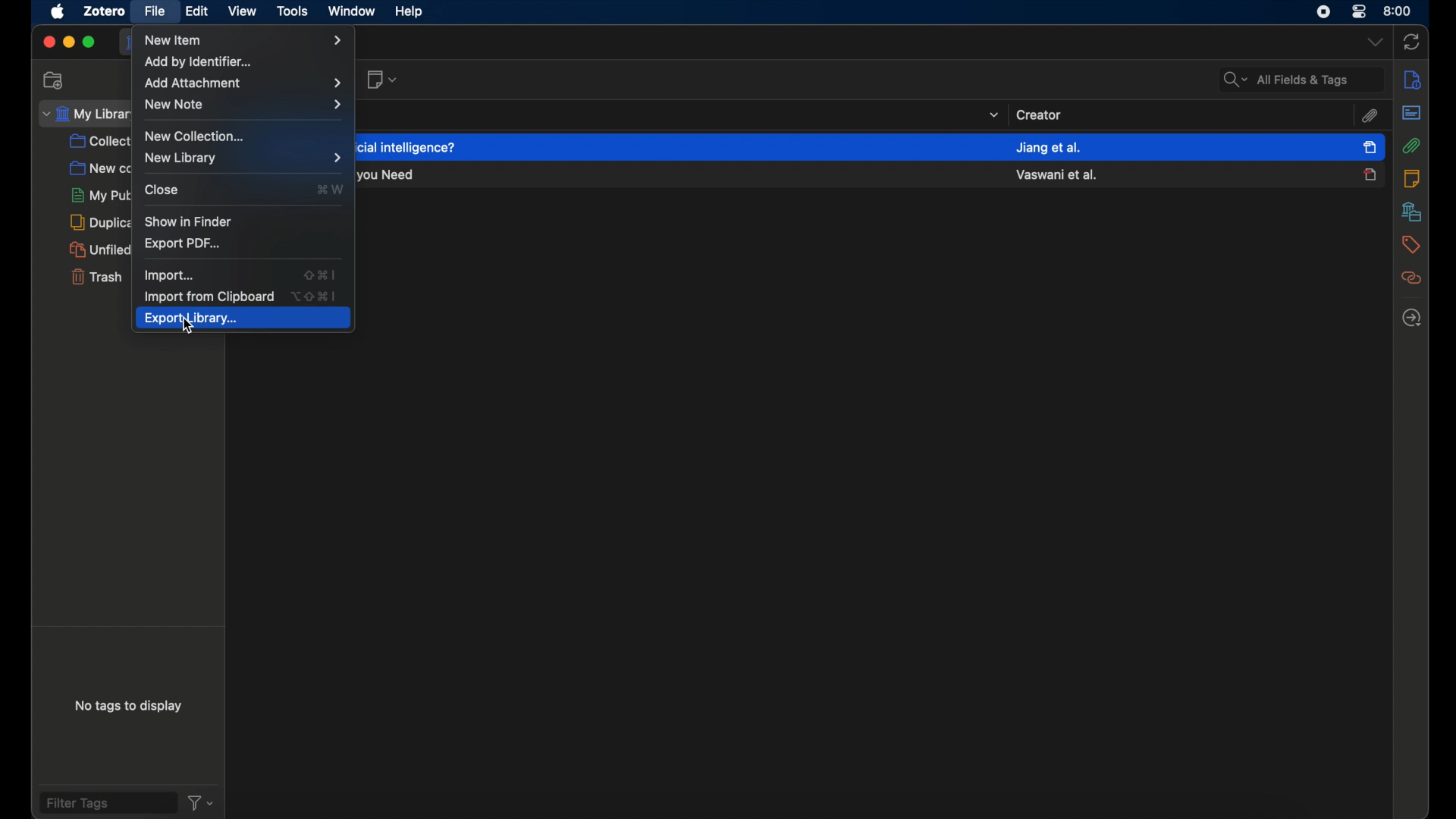 The width and height of the screenshot is (1456, 819). I want to click on time, so click(1398, 11).